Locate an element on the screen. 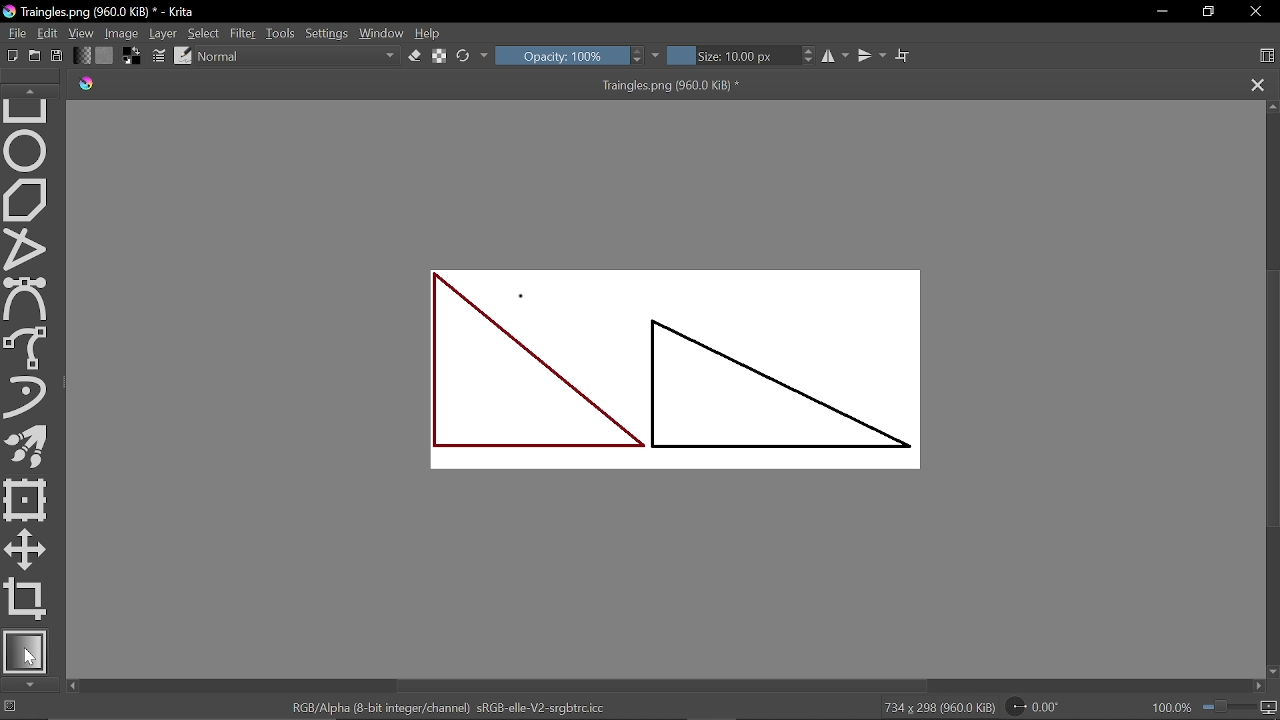  734 x 298 (960.0 KiB) is located at coordinates (938, 708).